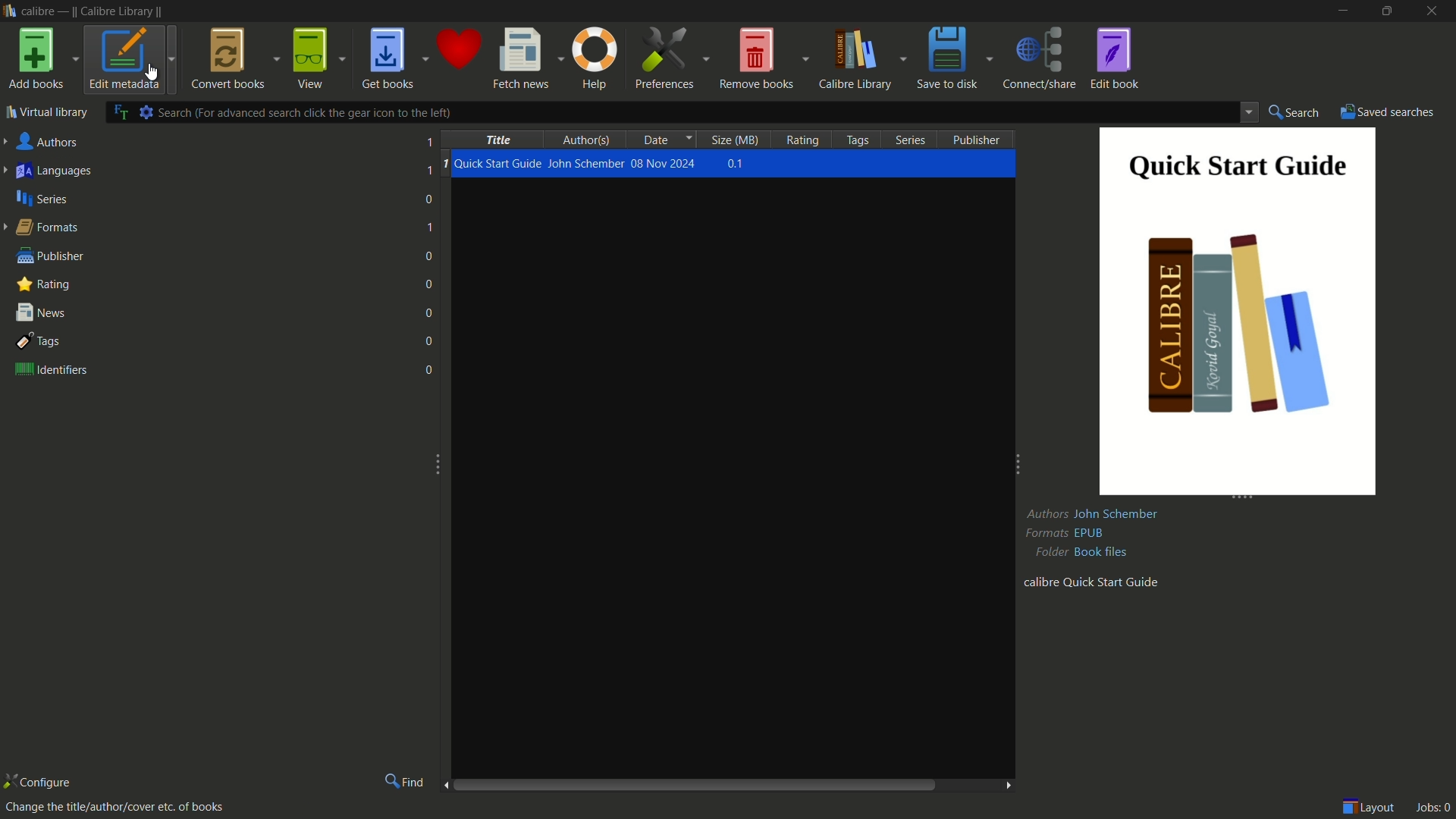 This screenshot has width=1456, height=819. I want to click on donate to calibre support, so click(460, 58).